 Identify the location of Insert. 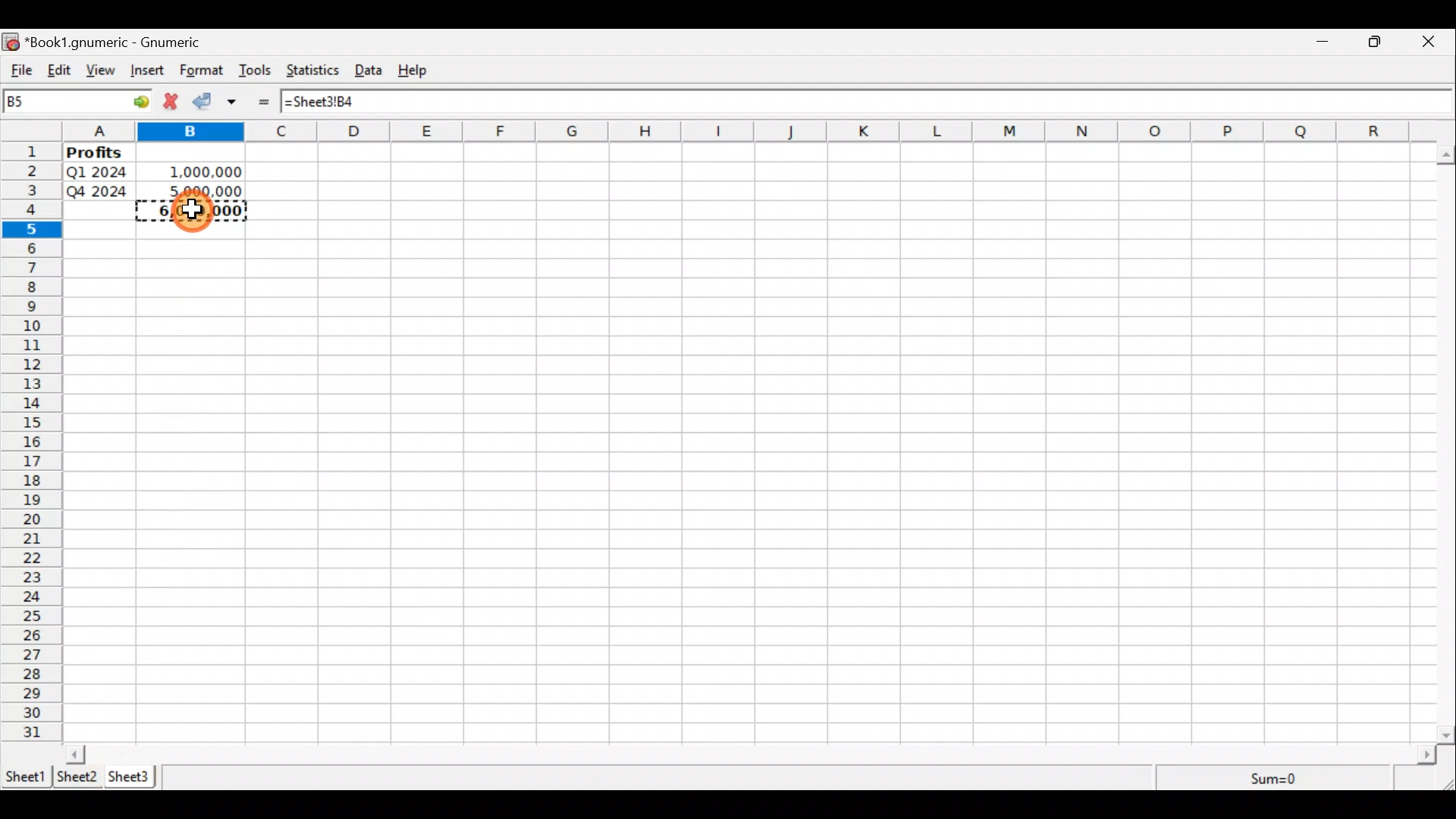
(150, 72).